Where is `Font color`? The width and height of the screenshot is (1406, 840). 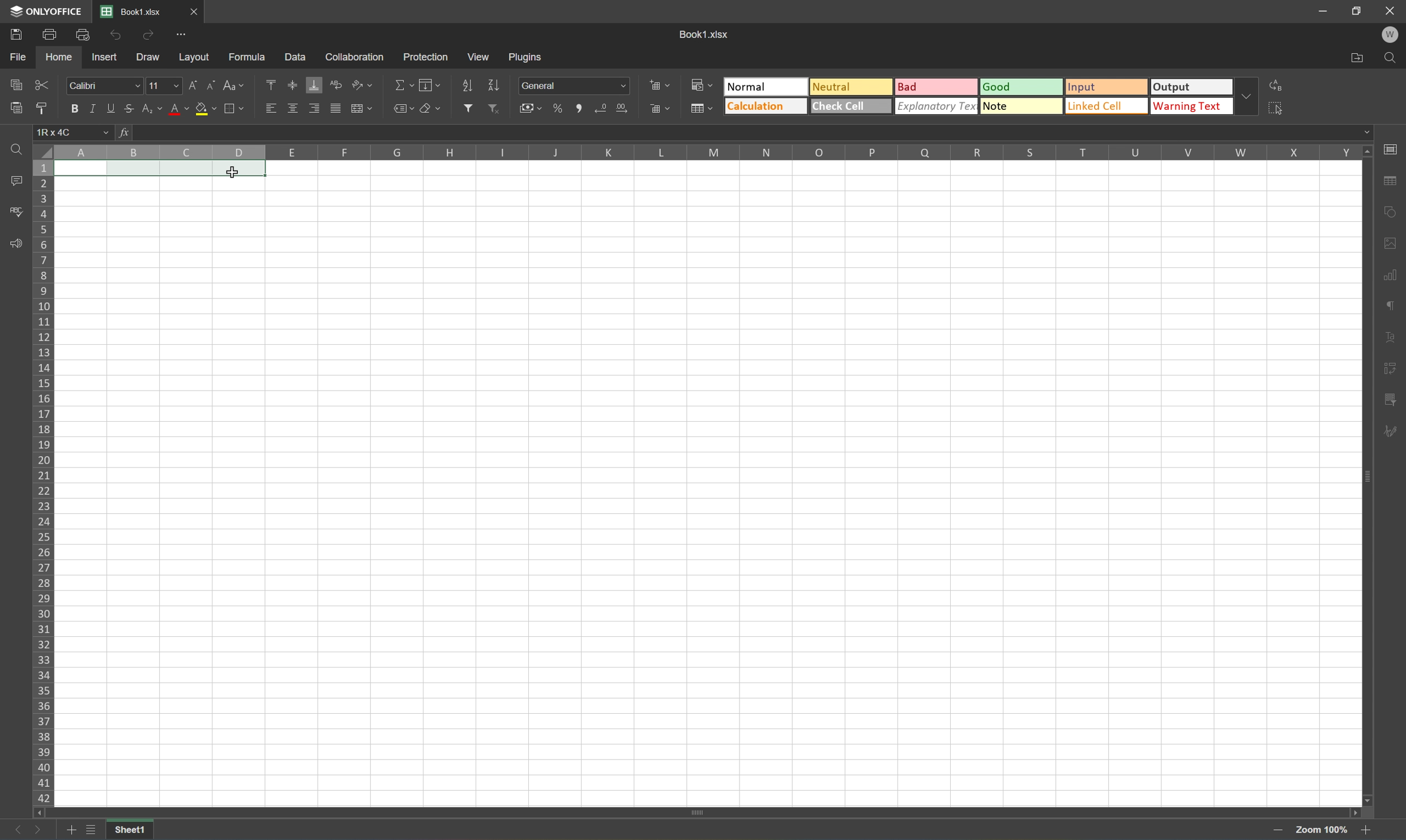 Font color is located at coordinates (178, 109).